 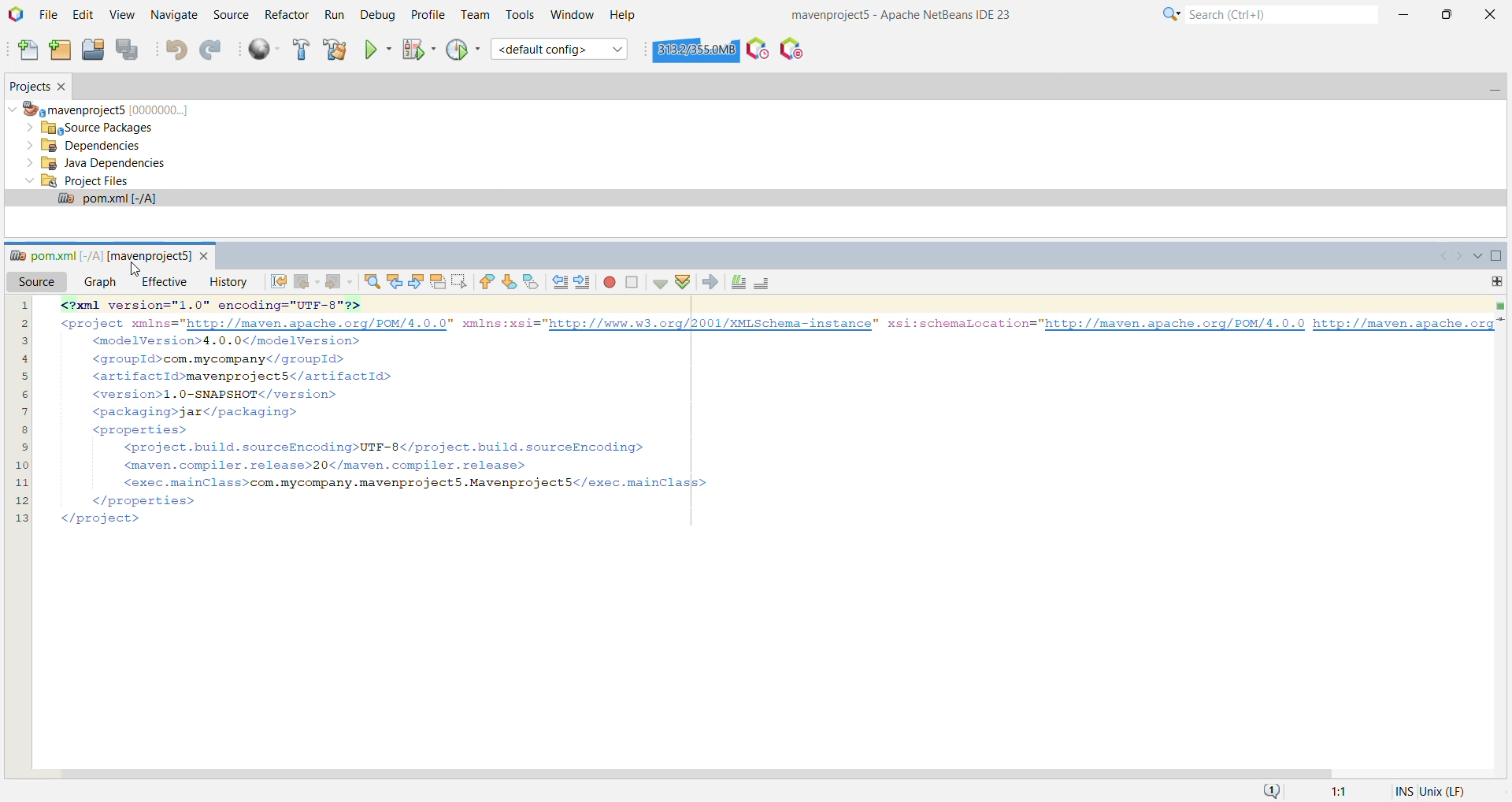 What do you see at coordinates (790, 49) in the screenshot?
I see `Pause I/O Checks` at bounding box center [790, 49].